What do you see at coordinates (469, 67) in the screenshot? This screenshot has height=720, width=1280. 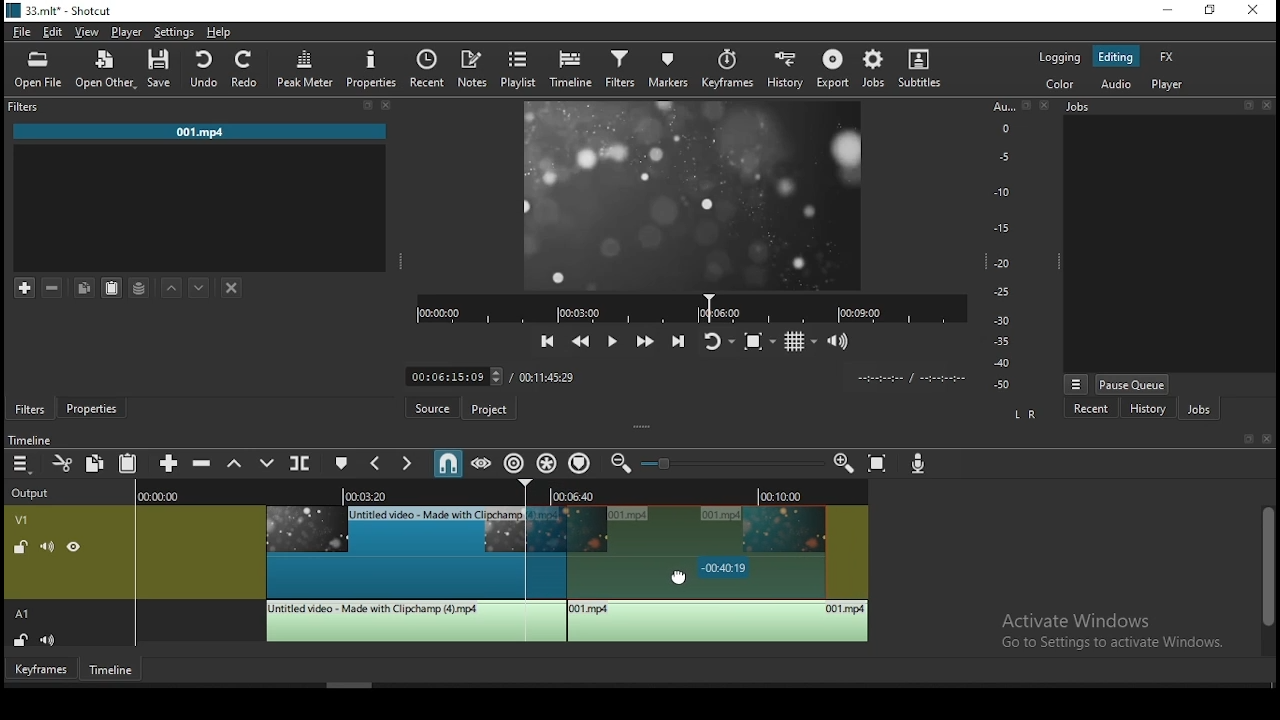 I see `notes` at bounding box center [469, 67].